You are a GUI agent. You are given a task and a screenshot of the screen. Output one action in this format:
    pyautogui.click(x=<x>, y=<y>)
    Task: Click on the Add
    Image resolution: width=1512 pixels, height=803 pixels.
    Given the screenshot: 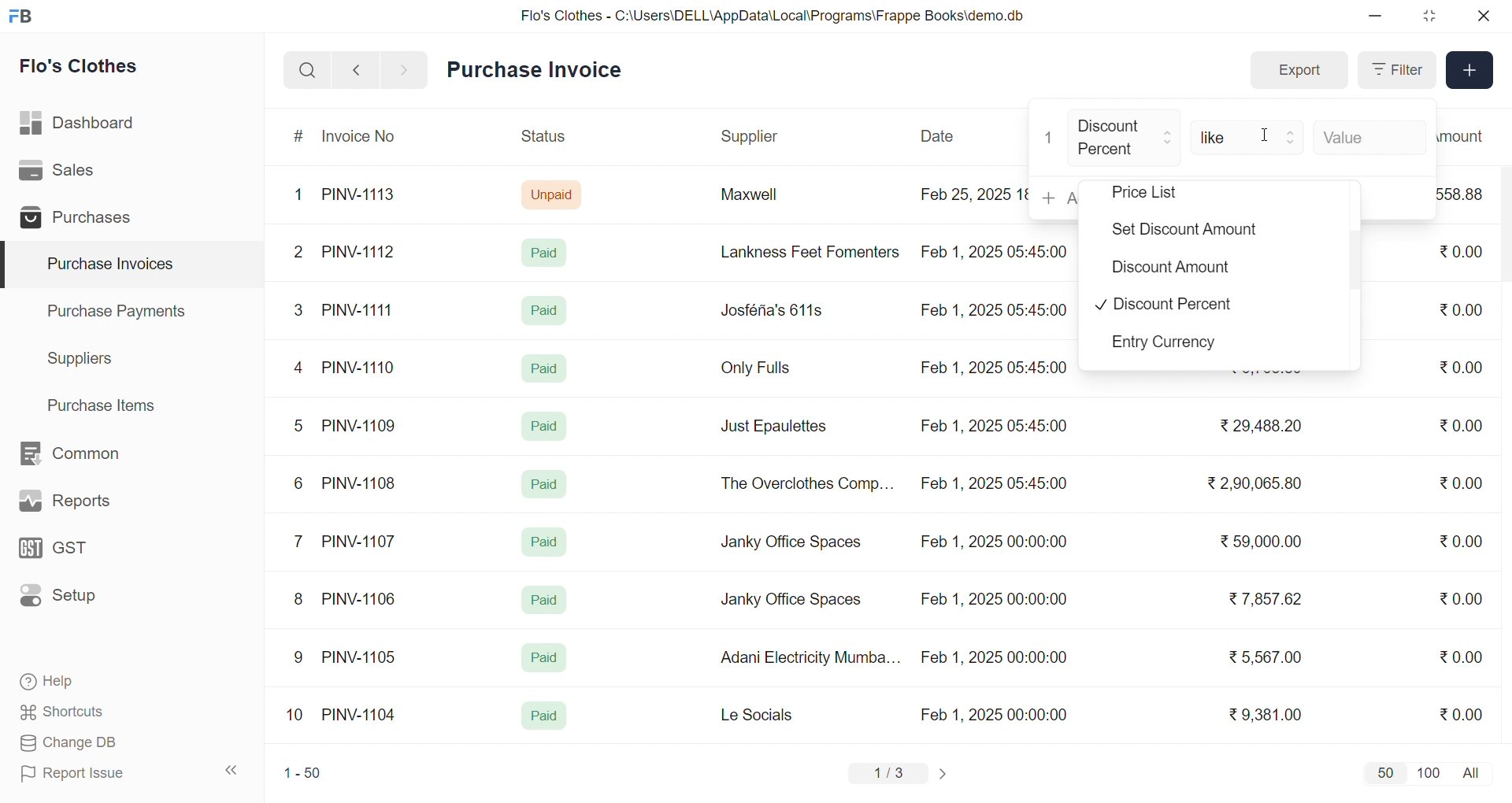 What is the action you would take?
    pyautogui.click(x=1470, y=71)
    